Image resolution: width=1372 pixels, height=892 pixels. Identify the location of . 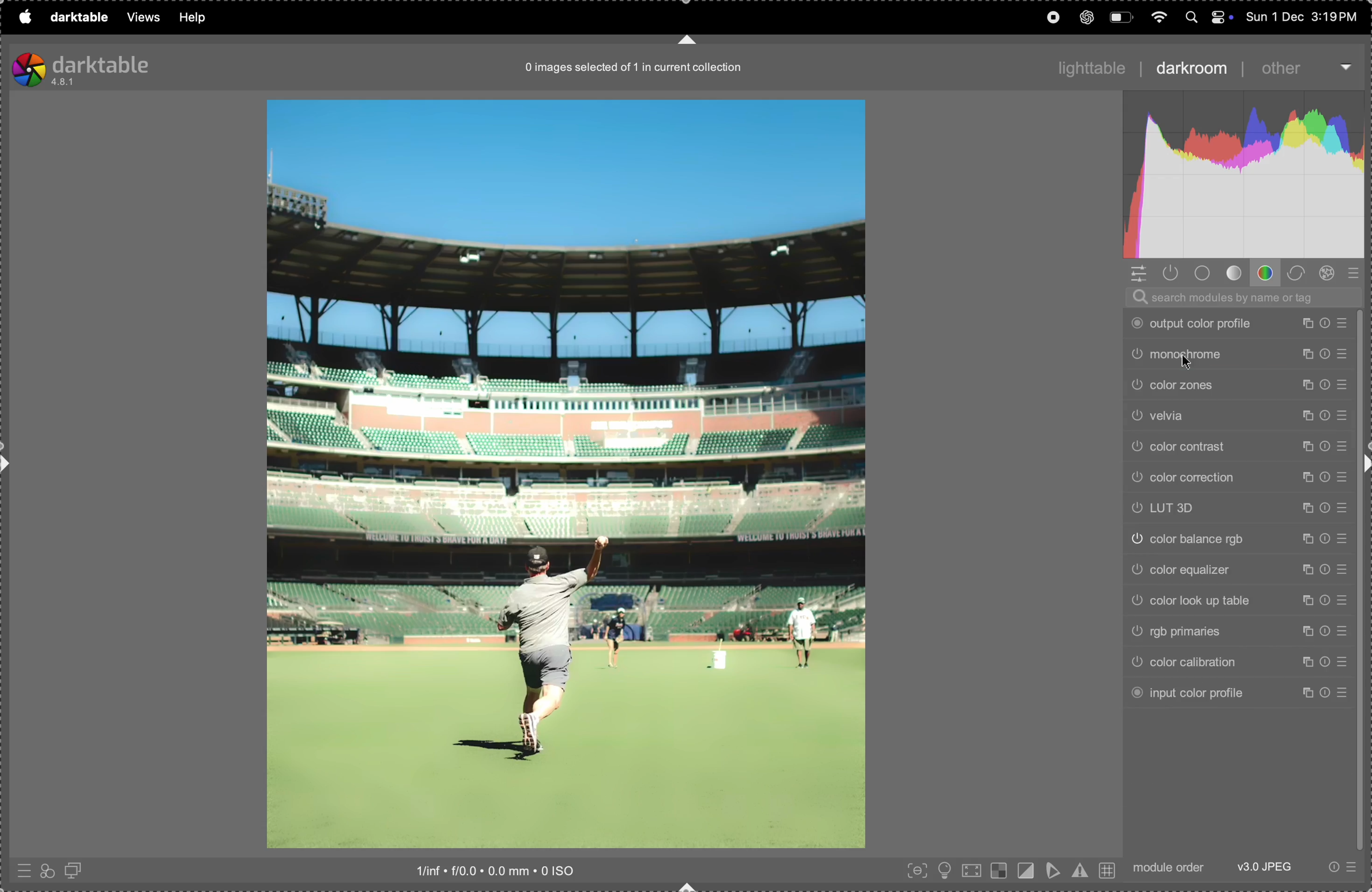
(685, 41).